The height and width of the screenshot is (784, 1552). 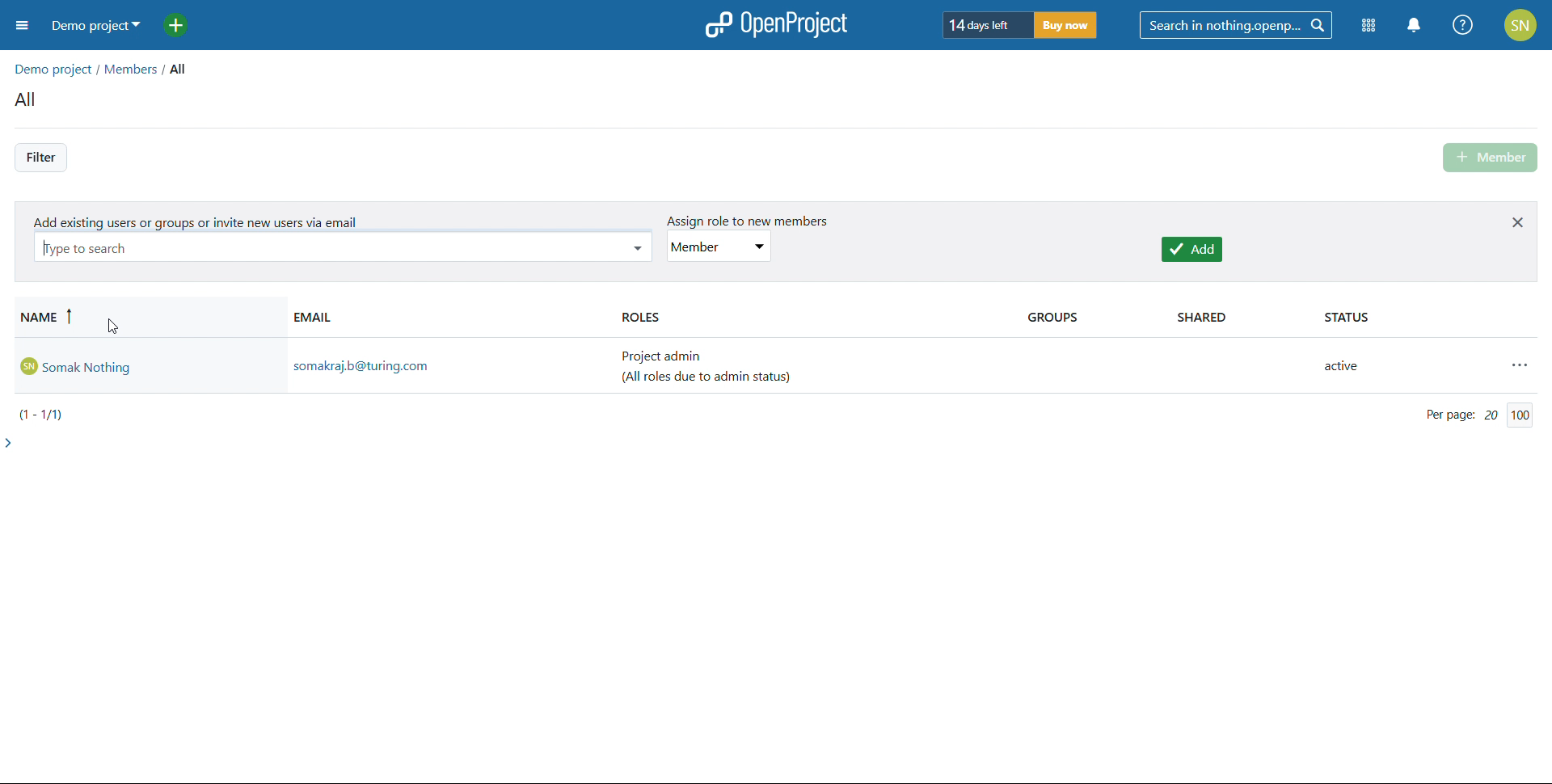 I want to click on members/, so click(x=136, y=71).